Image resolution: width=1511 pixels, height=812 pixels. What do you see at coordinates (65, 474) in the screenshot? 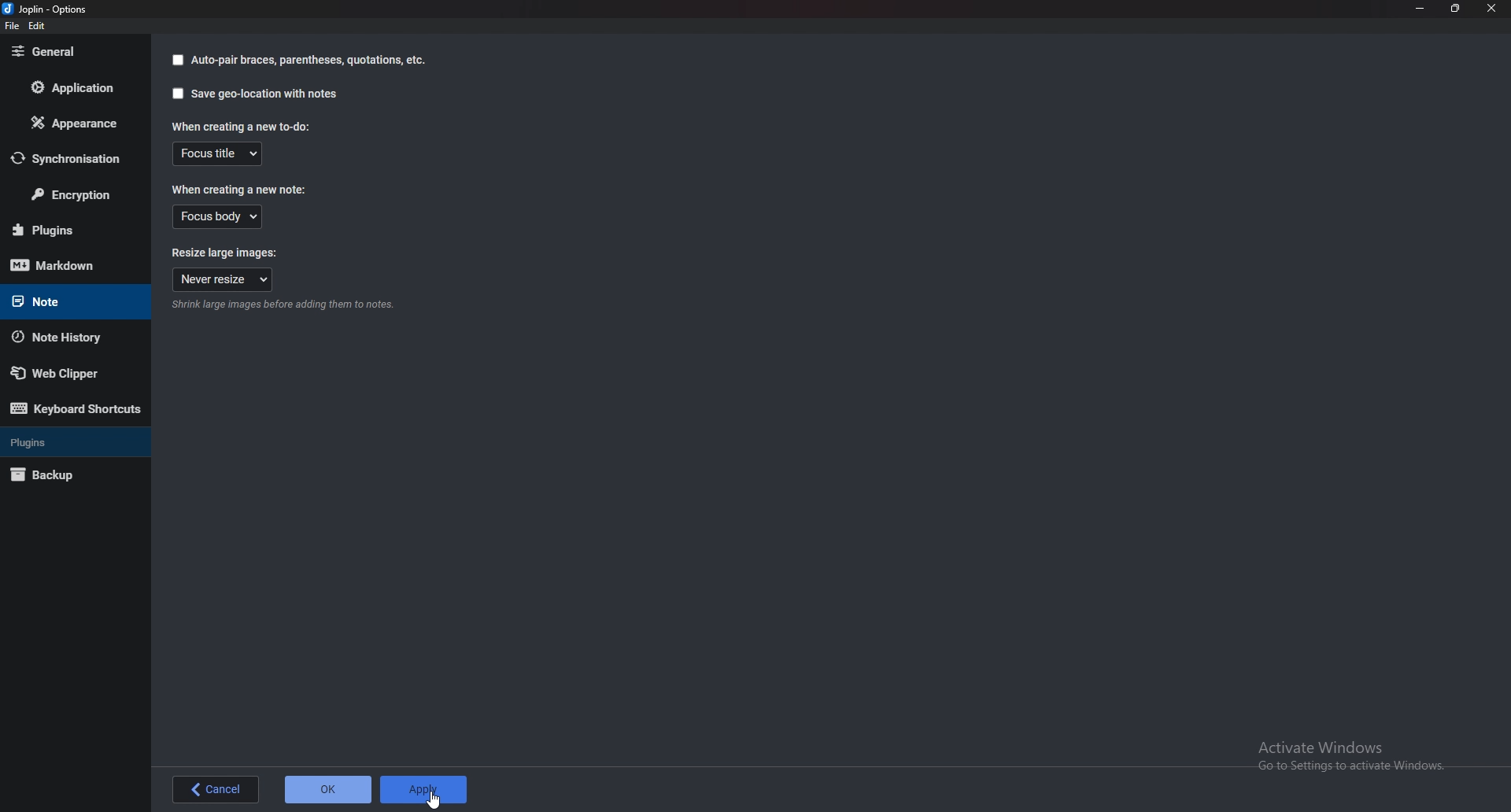
I see `Back up` at bounding box center [65, 474].